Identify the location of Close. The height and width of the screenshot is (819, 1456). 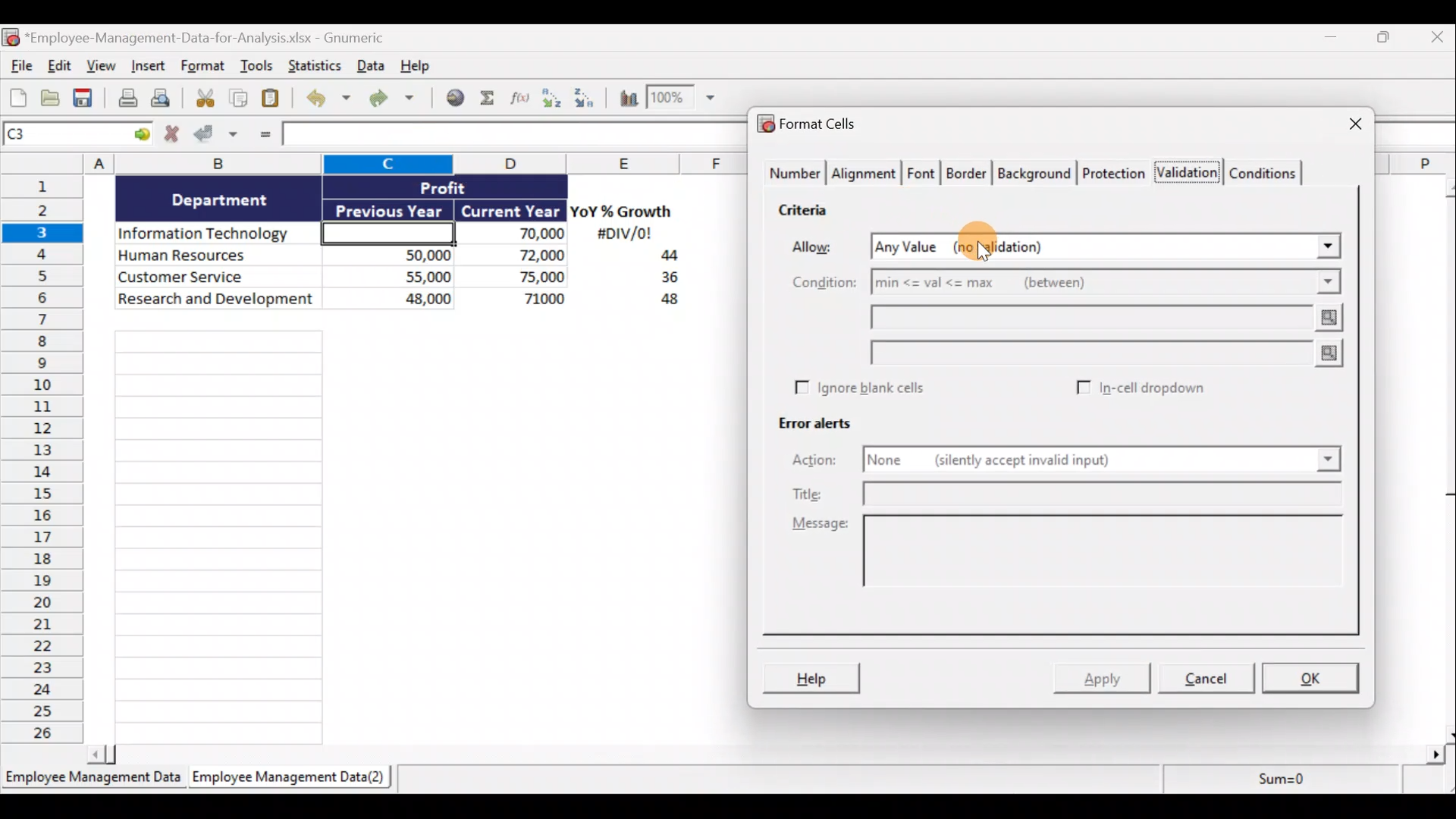
(1341, 125).